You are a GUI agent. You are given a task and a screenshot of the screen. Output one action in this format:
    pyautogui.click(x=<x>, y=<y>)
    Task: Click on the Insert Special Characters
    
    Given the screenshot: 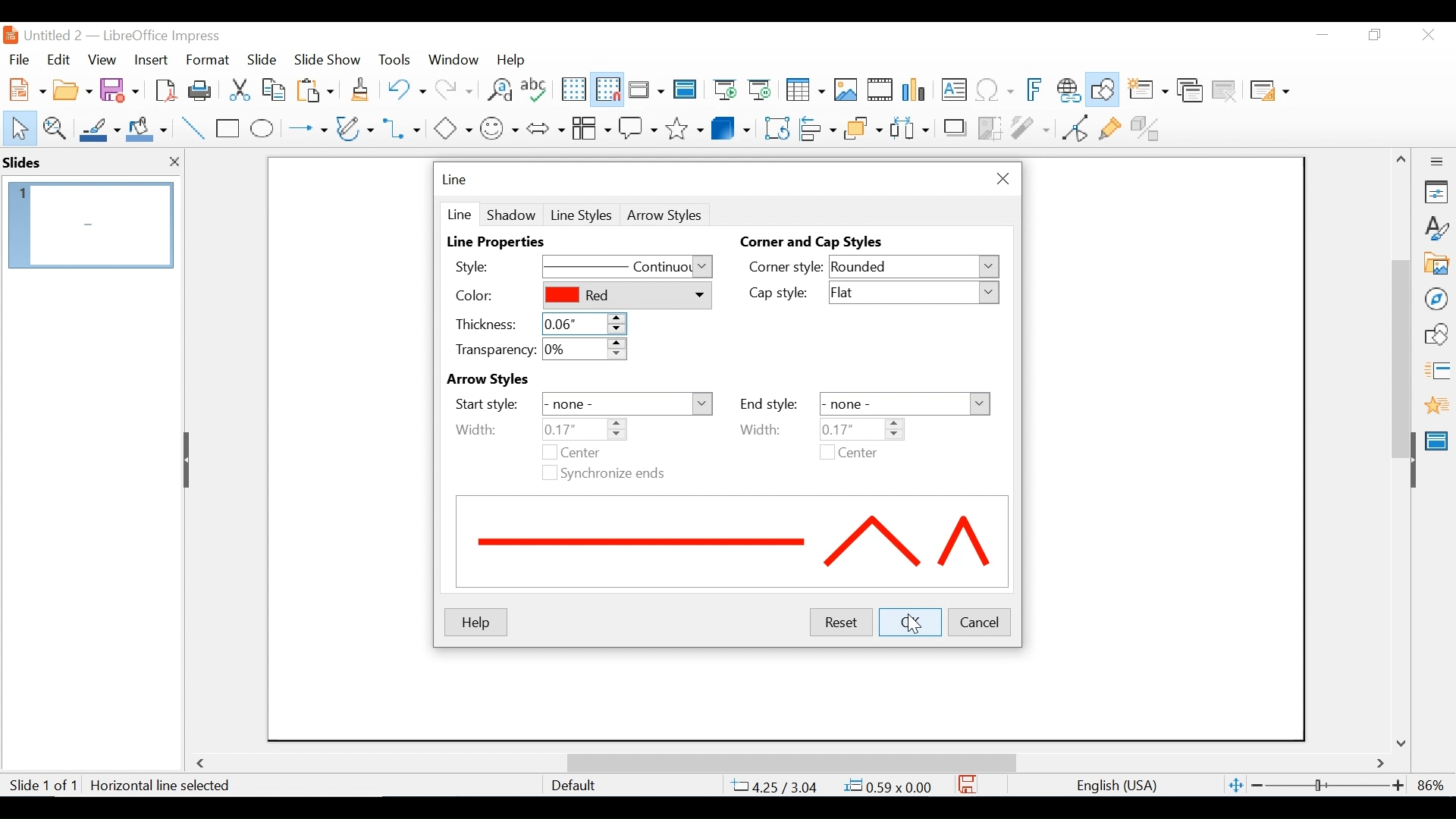 What is the action you would take?
    pyautogui.click(x=995, y=91)
    